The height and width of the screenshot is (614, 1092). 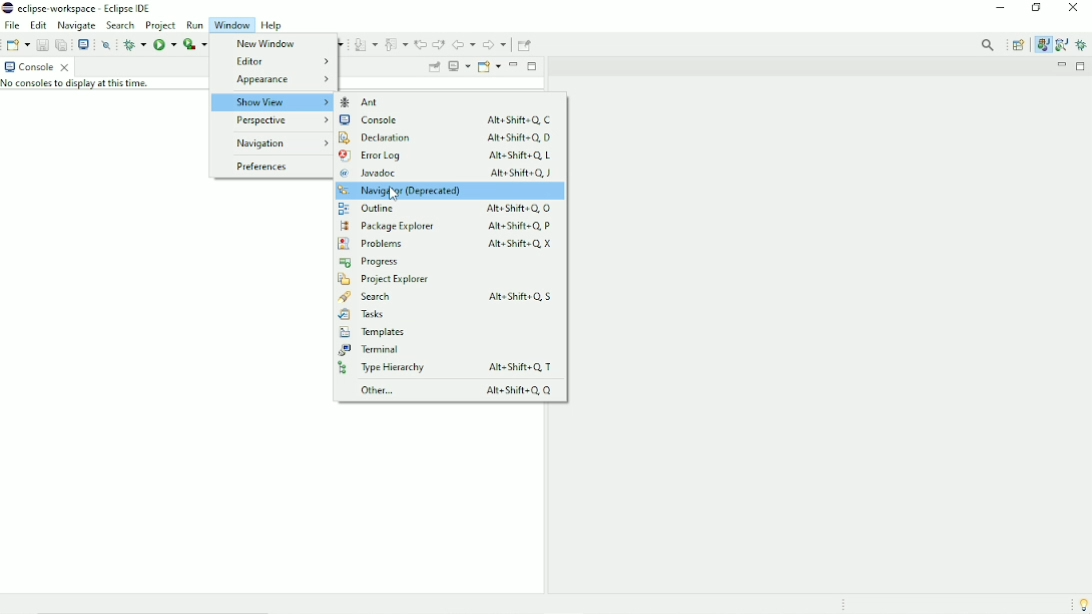 I want to click on Search, so click(x=451, y=297).